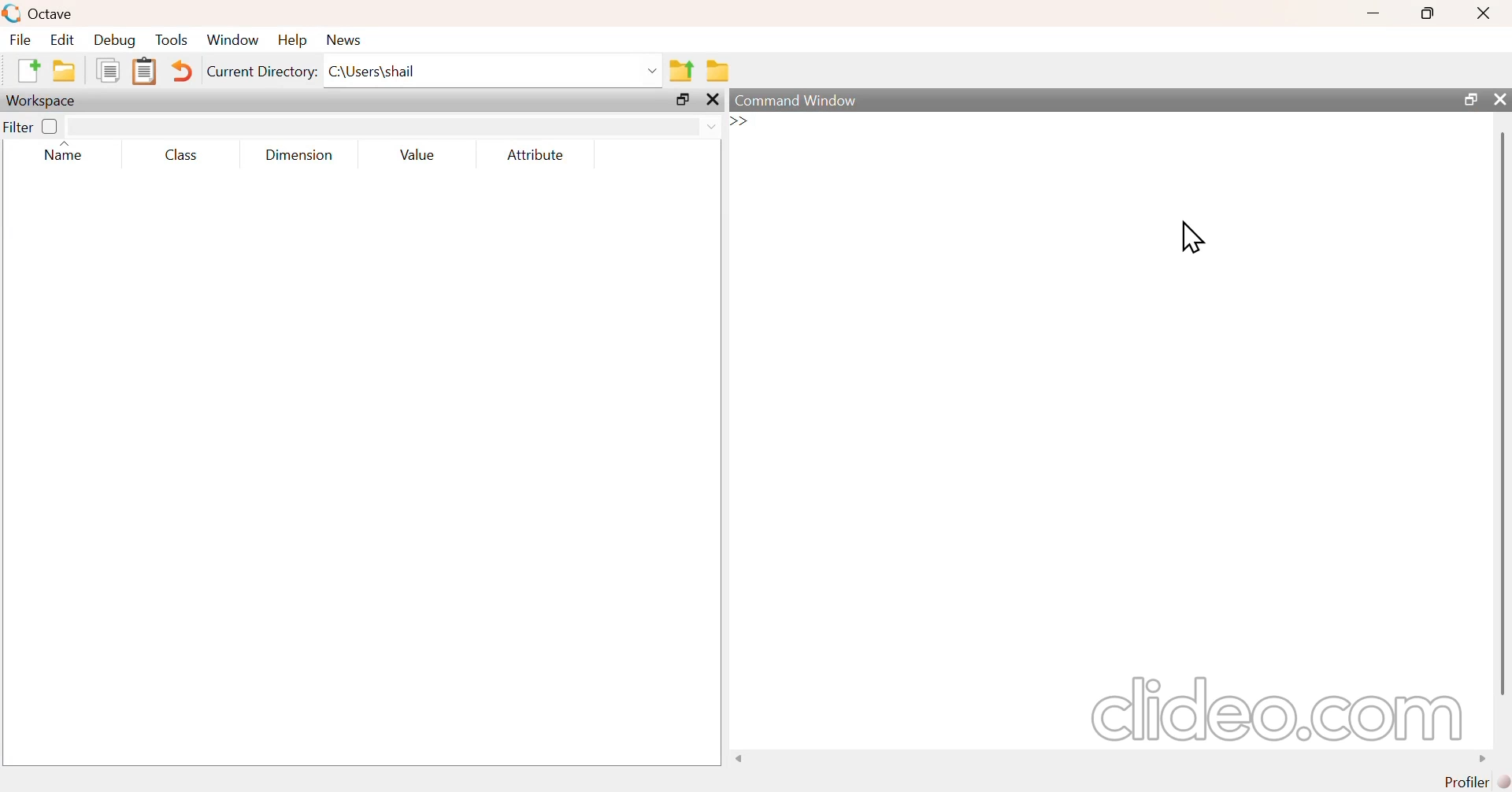 The image size is (1512, 792). Describe the element at coordinates (182, 155) in the screenshot. I see `class` at that location.